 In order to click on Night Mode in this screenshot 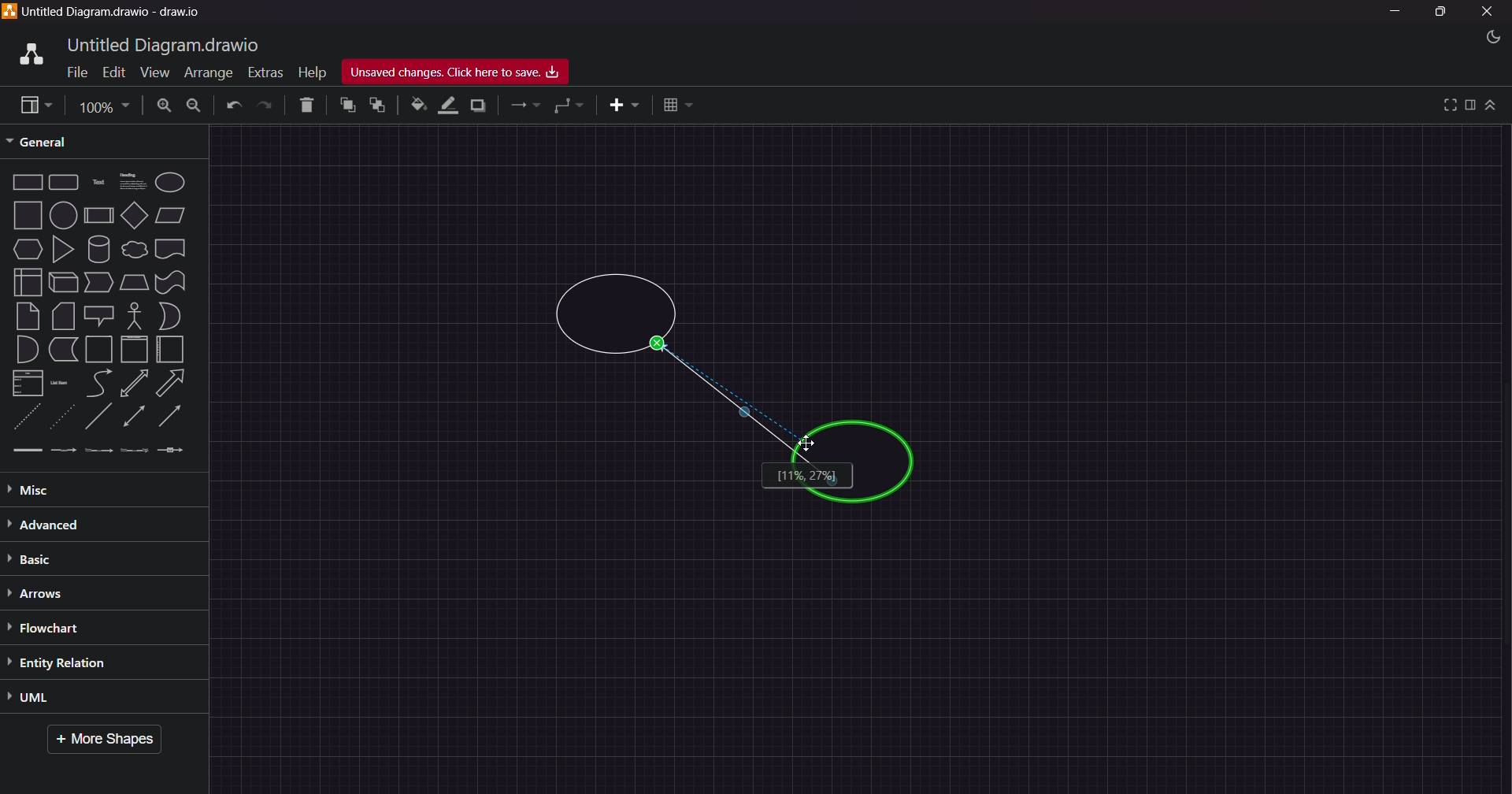, I will do `click(1484, 37)`.